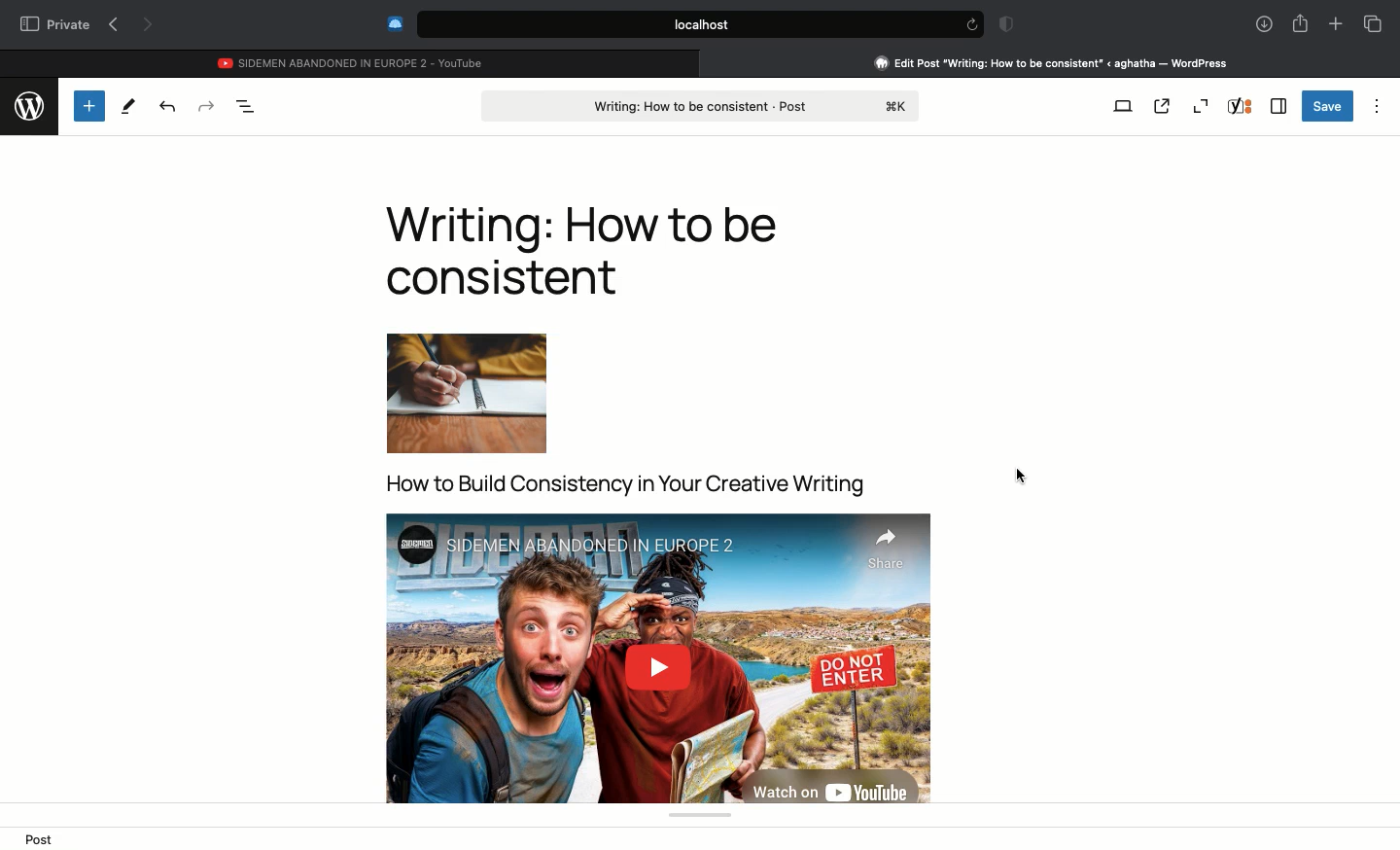 This screenshot has height=850, width=1400. What do you see at coordinates (627, 482) in the screenshot?
I see `title` at bounding box center [627, 482].